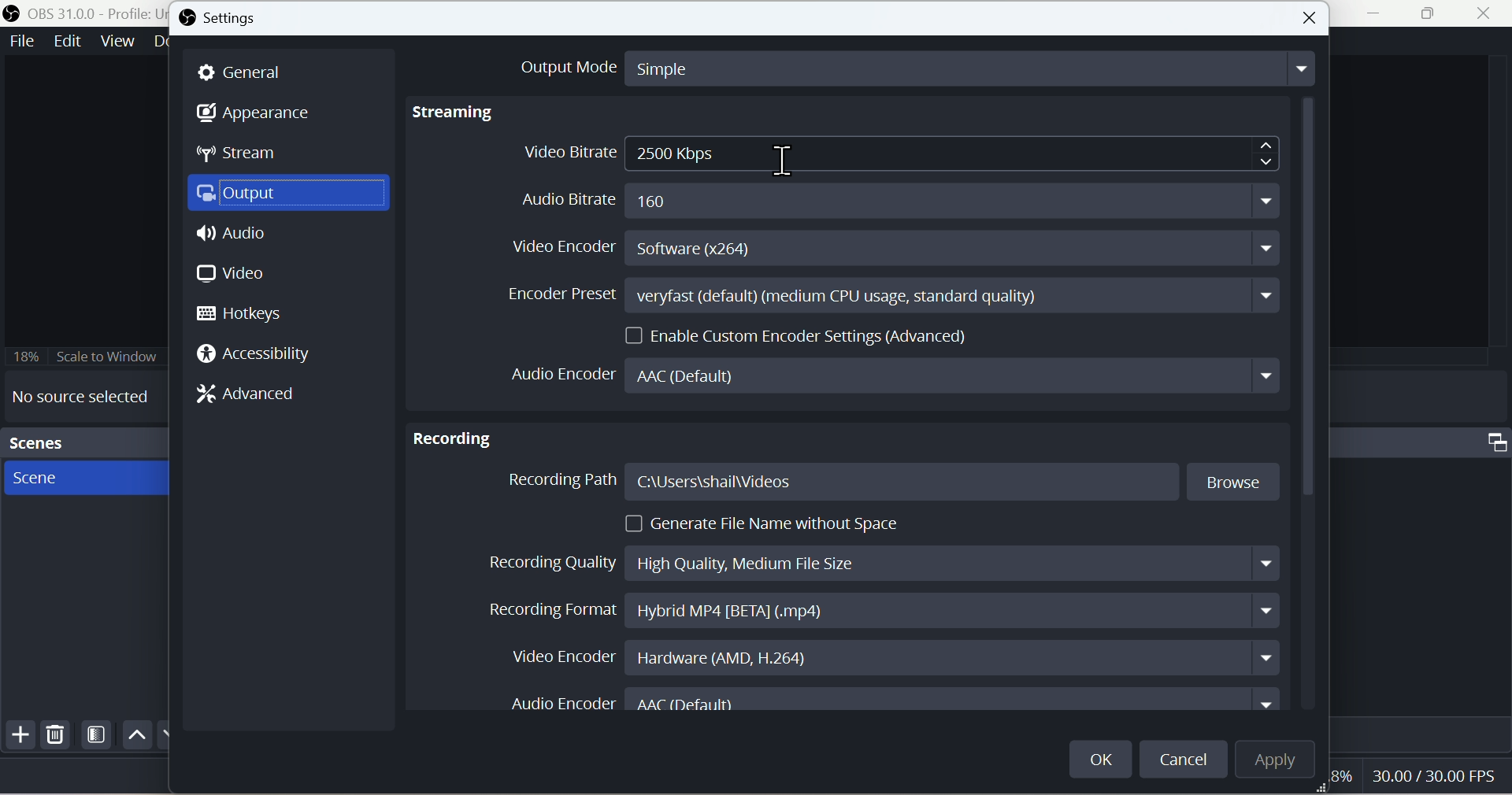 Image resolution: width=1512 pixels, height=795 pixels. Describe the element at coordinates (250, 72) in the screenshot. I see `General` at that location.